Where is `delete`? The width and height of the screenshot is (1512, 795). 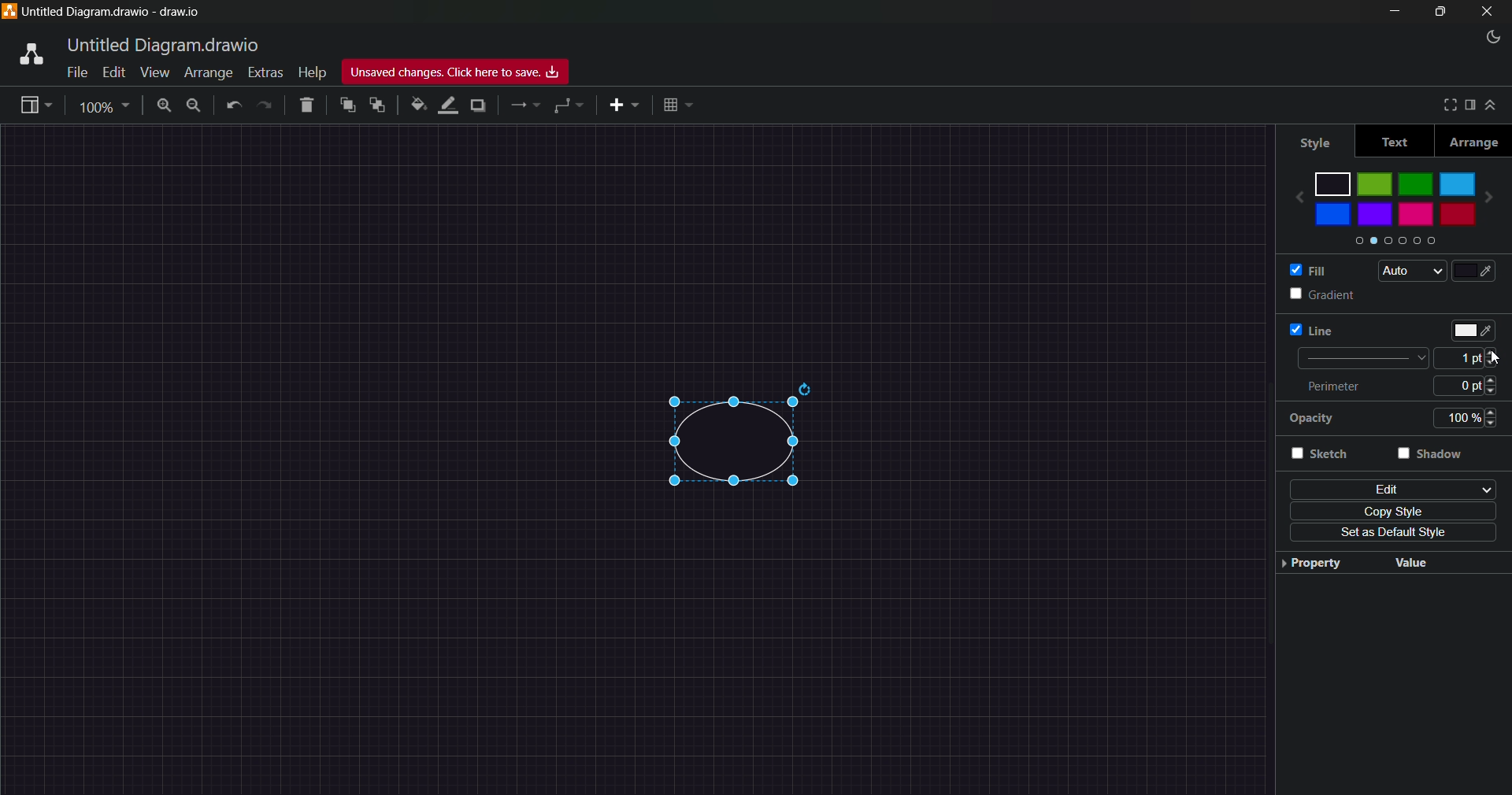
delete is located at coordinates (307, 107).